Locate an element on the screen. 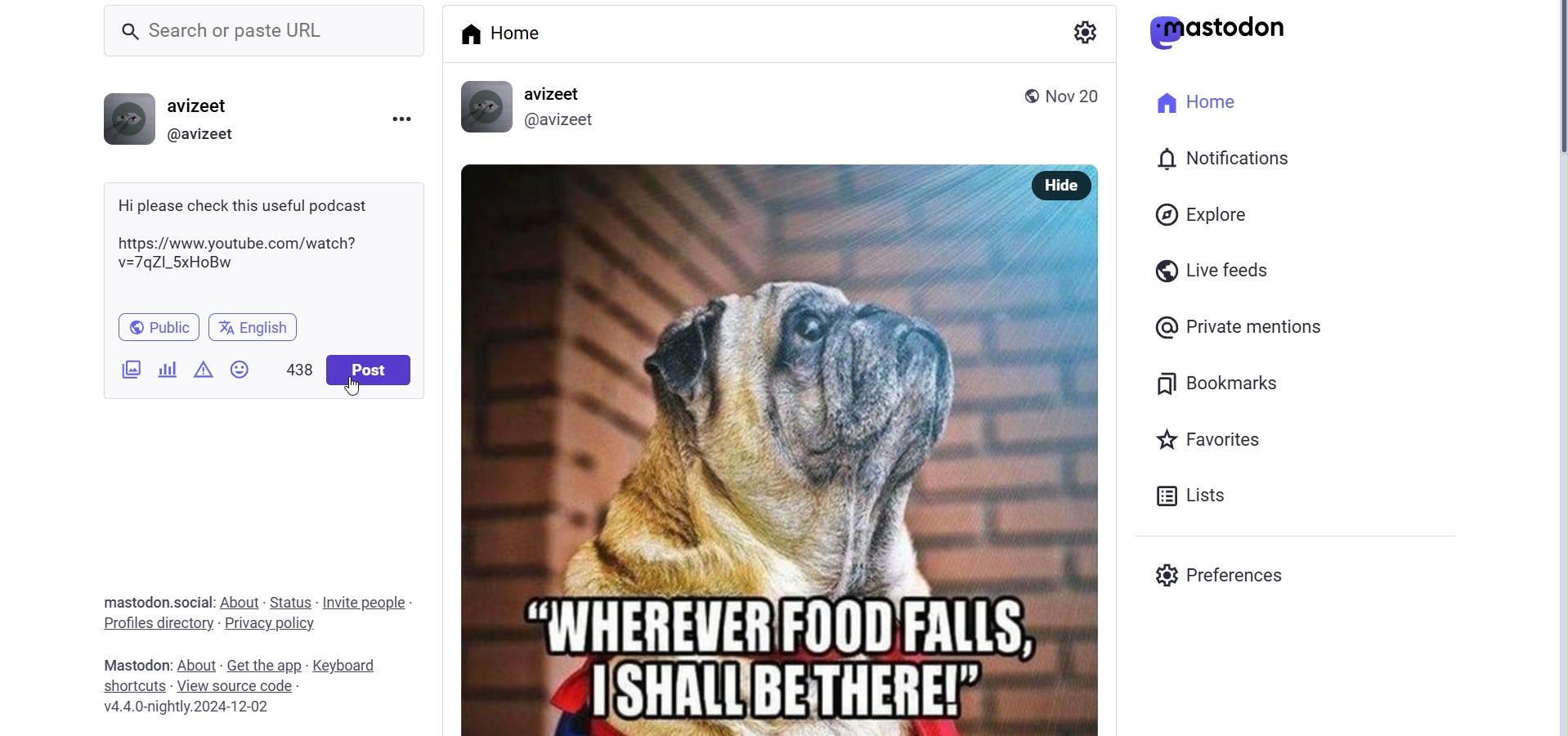 The height and width of the screenshot is (736, 1568). v4.4.0-nightly.2024-12-02 is located at coordinates (178, 708).